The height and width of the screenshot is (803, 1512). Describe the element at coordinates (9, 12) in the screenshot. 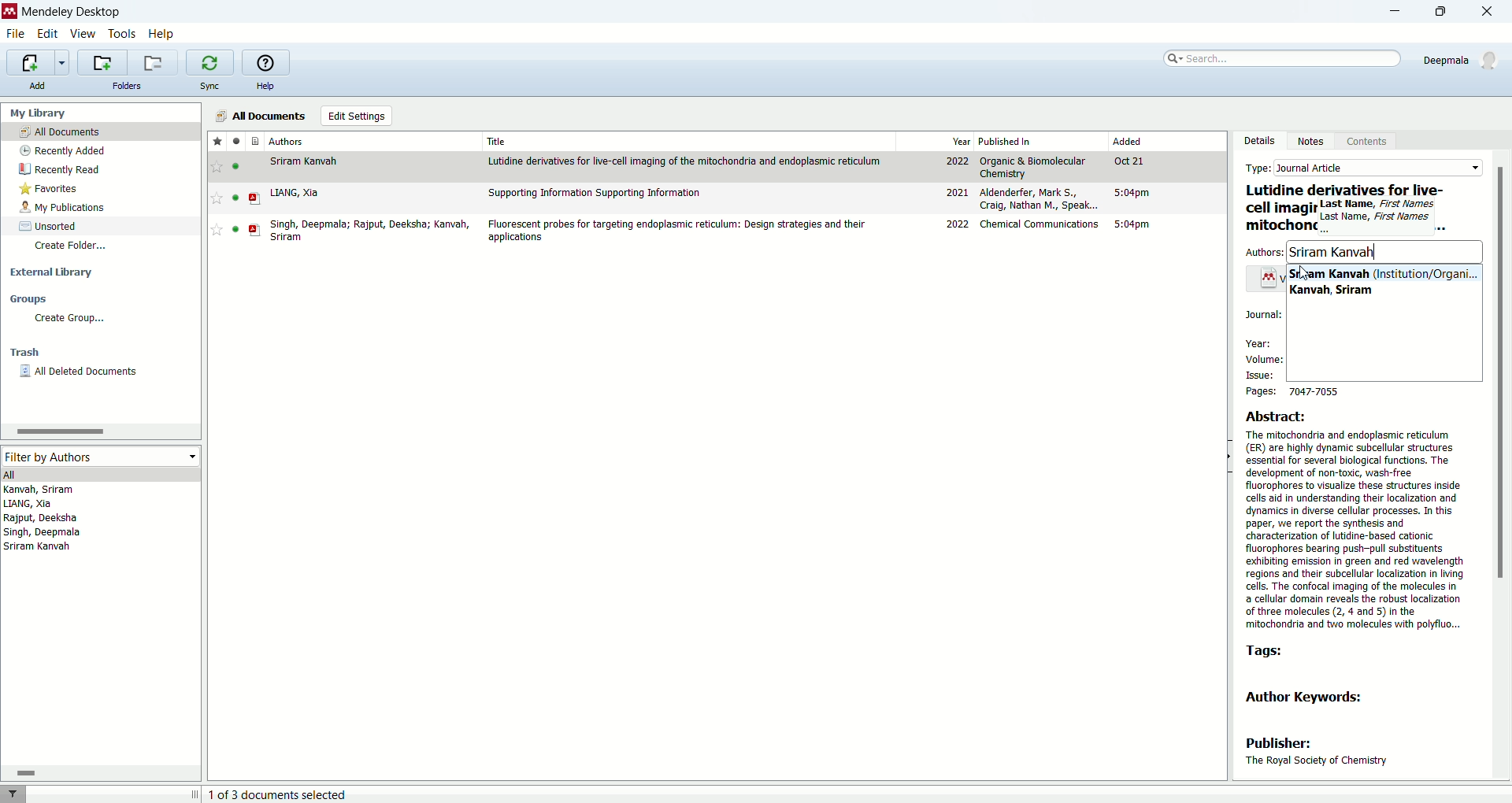

I see `logo` at that location.